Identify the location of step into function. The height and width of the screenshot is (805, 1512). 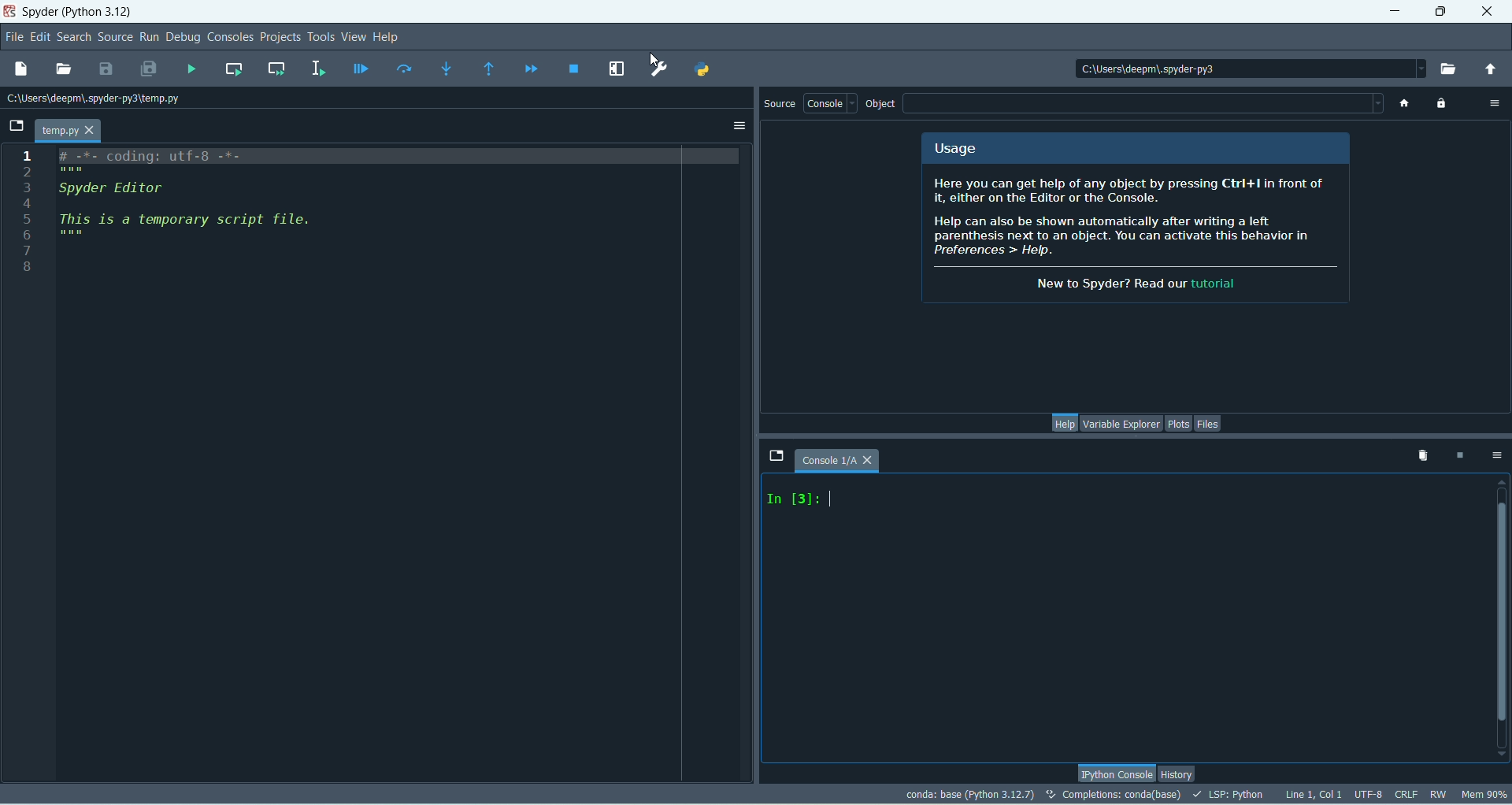
(447, 69).